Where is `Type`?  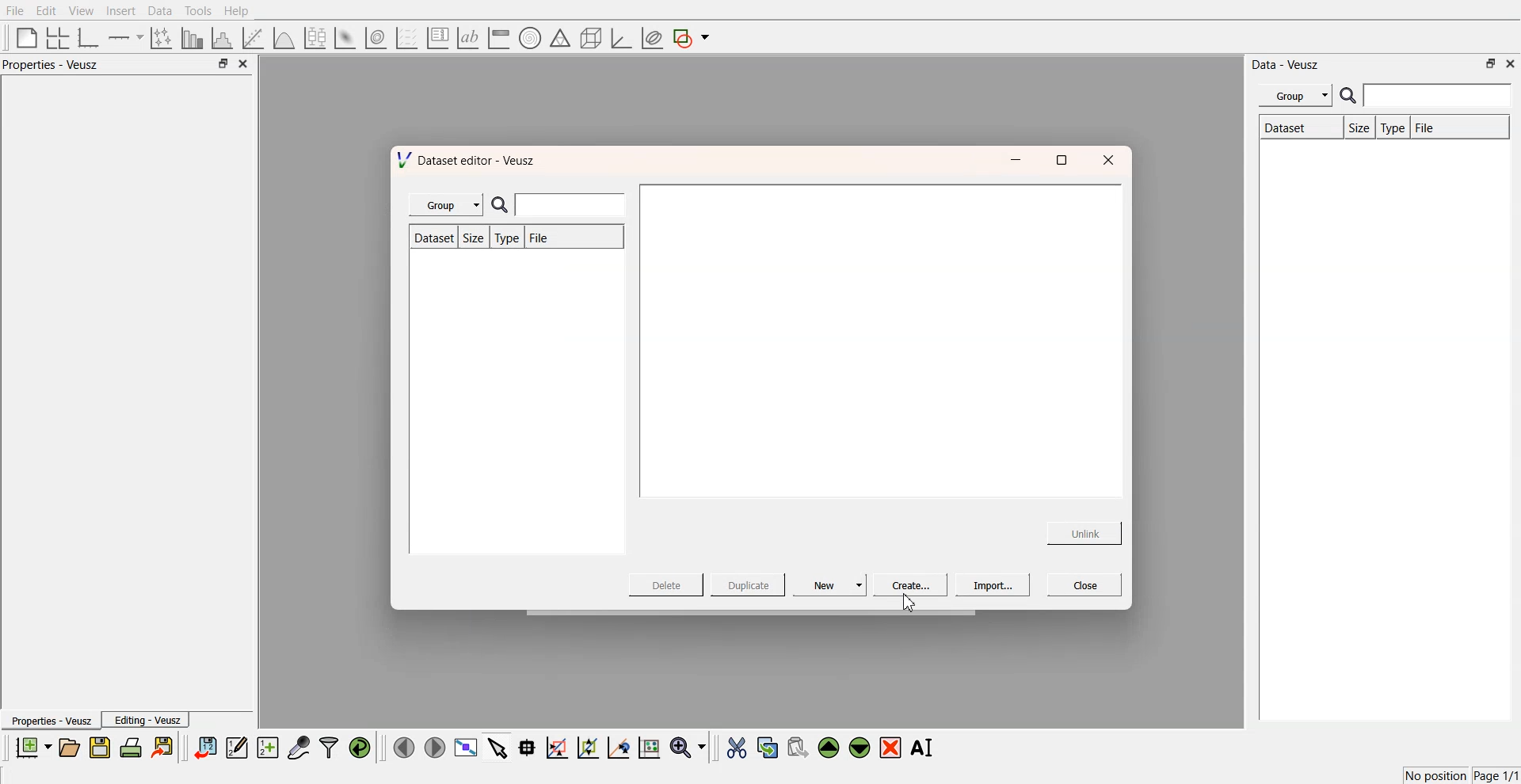
Type is located at coordinates (507, 238).